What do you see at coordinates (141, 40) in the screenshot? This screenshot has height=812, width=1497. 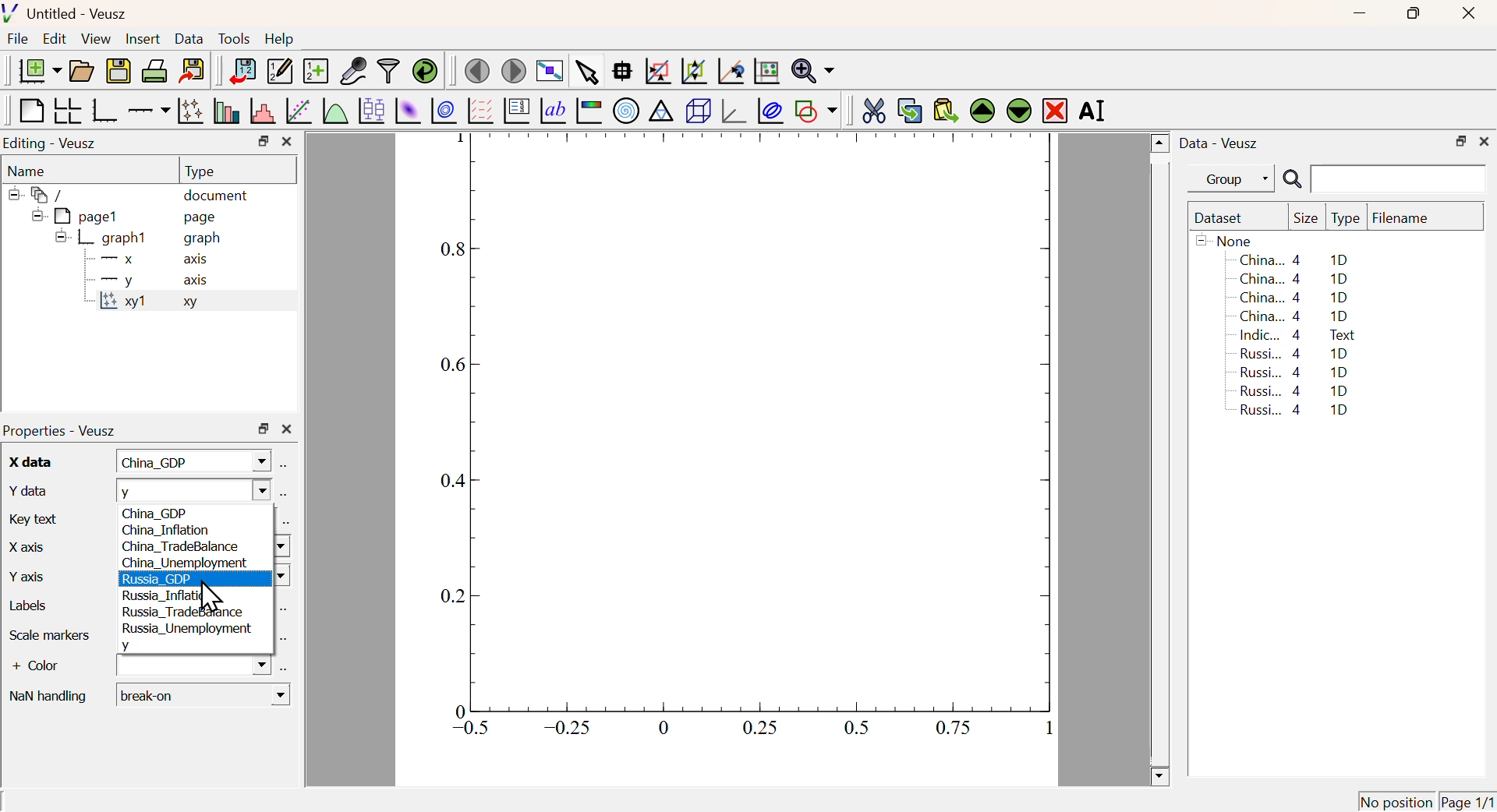 I see `Insert` at bounding box center [141, 40].